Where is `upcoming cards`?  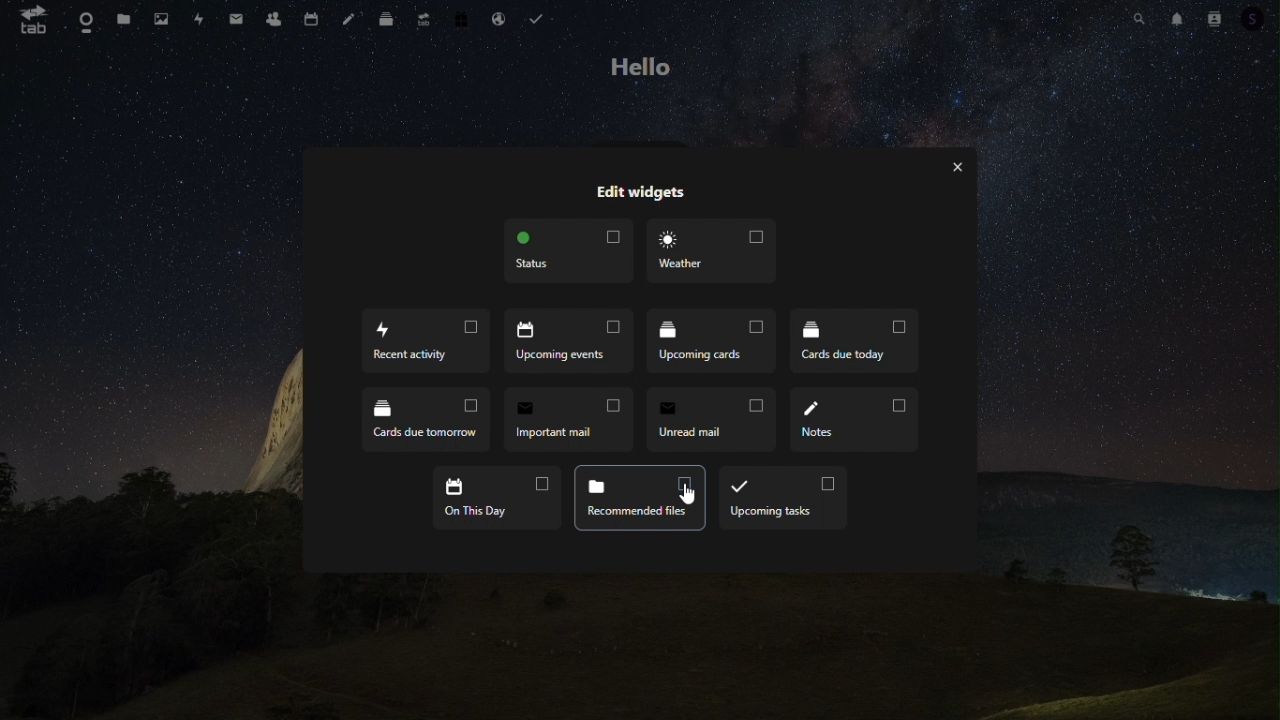
upcoming cards is located at coordinates (712, 343).